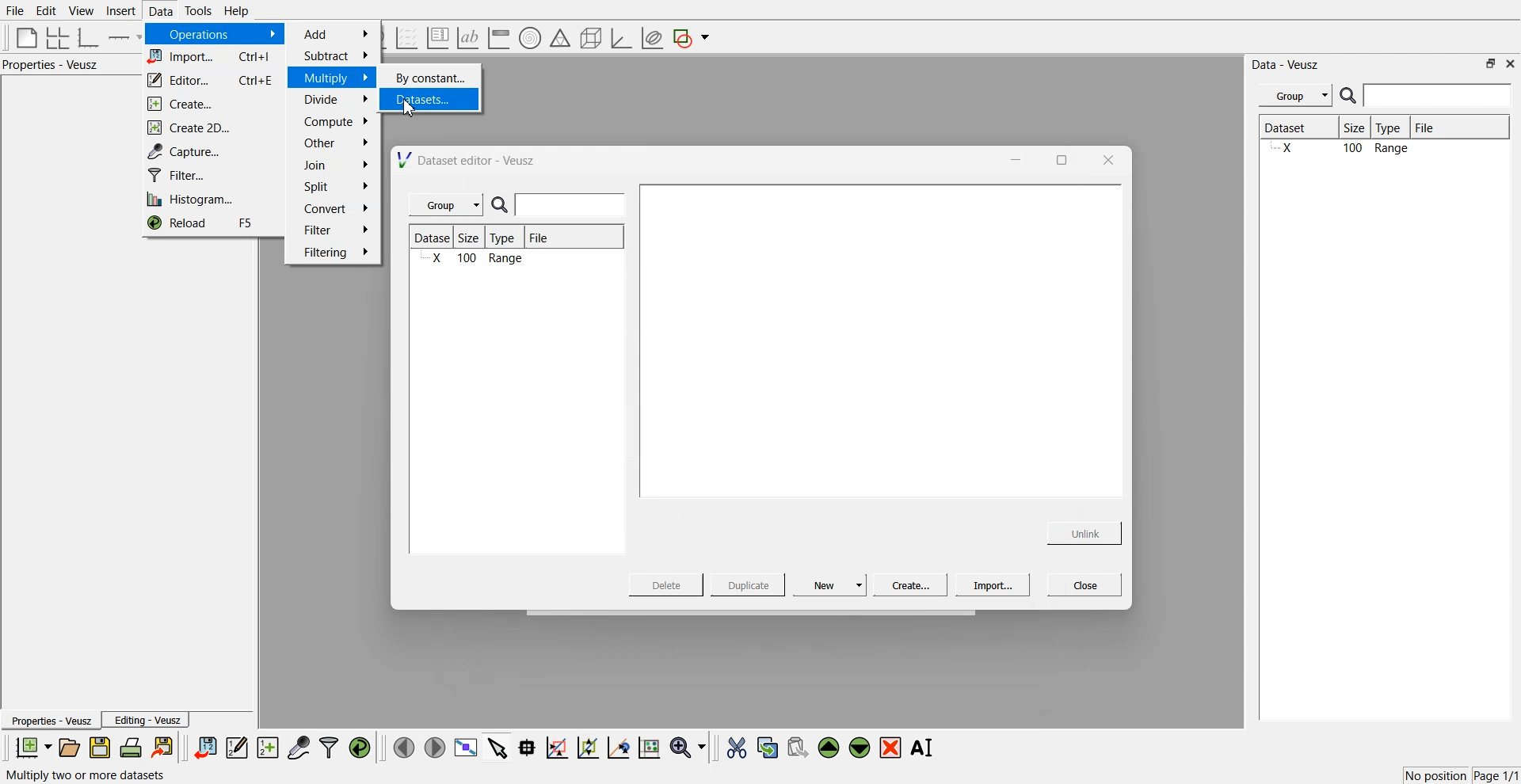  Describe the element at coordinates (414, 112) in the screenshot. I see `cursor` at that location.